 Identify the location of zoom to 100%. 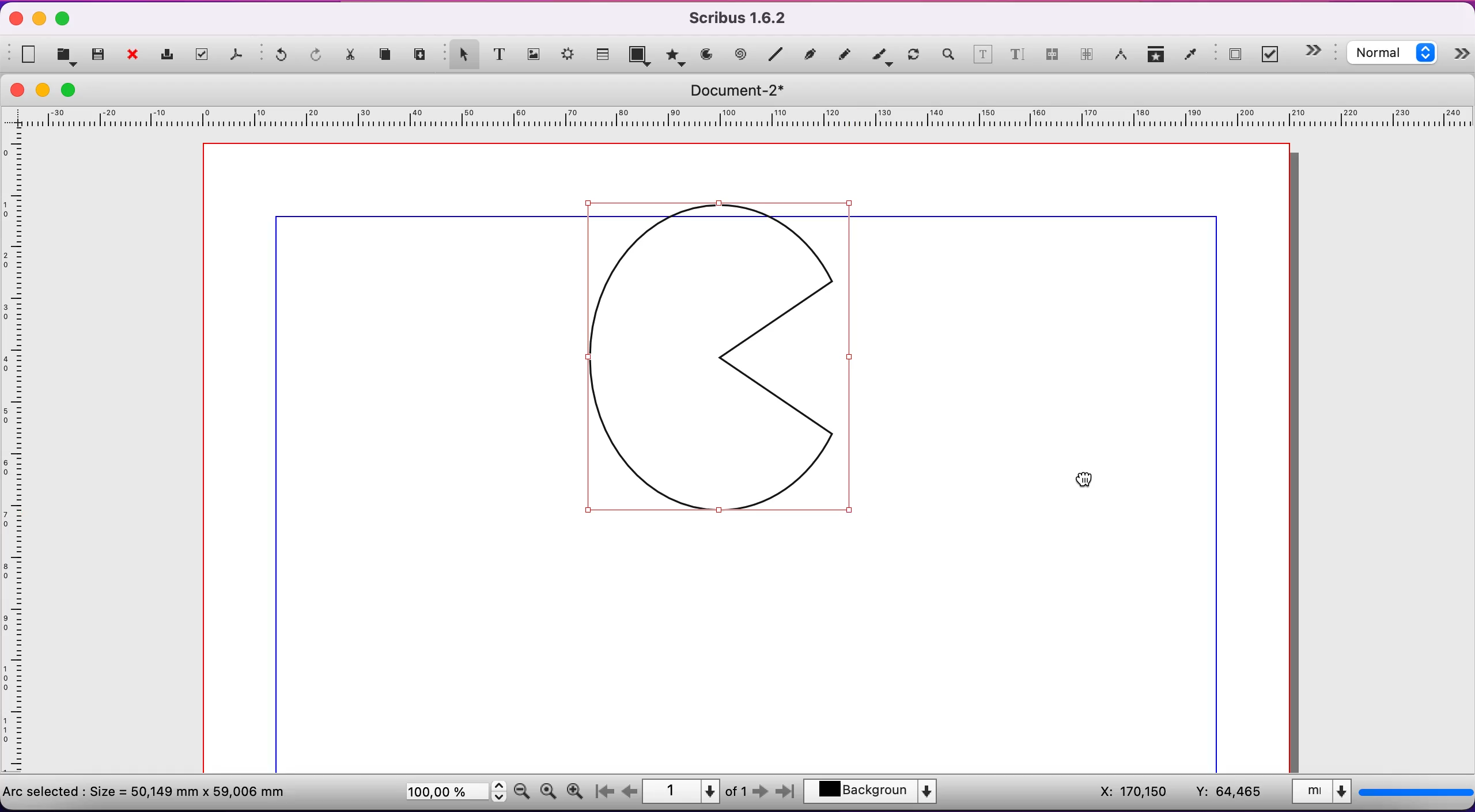
(548, 794).